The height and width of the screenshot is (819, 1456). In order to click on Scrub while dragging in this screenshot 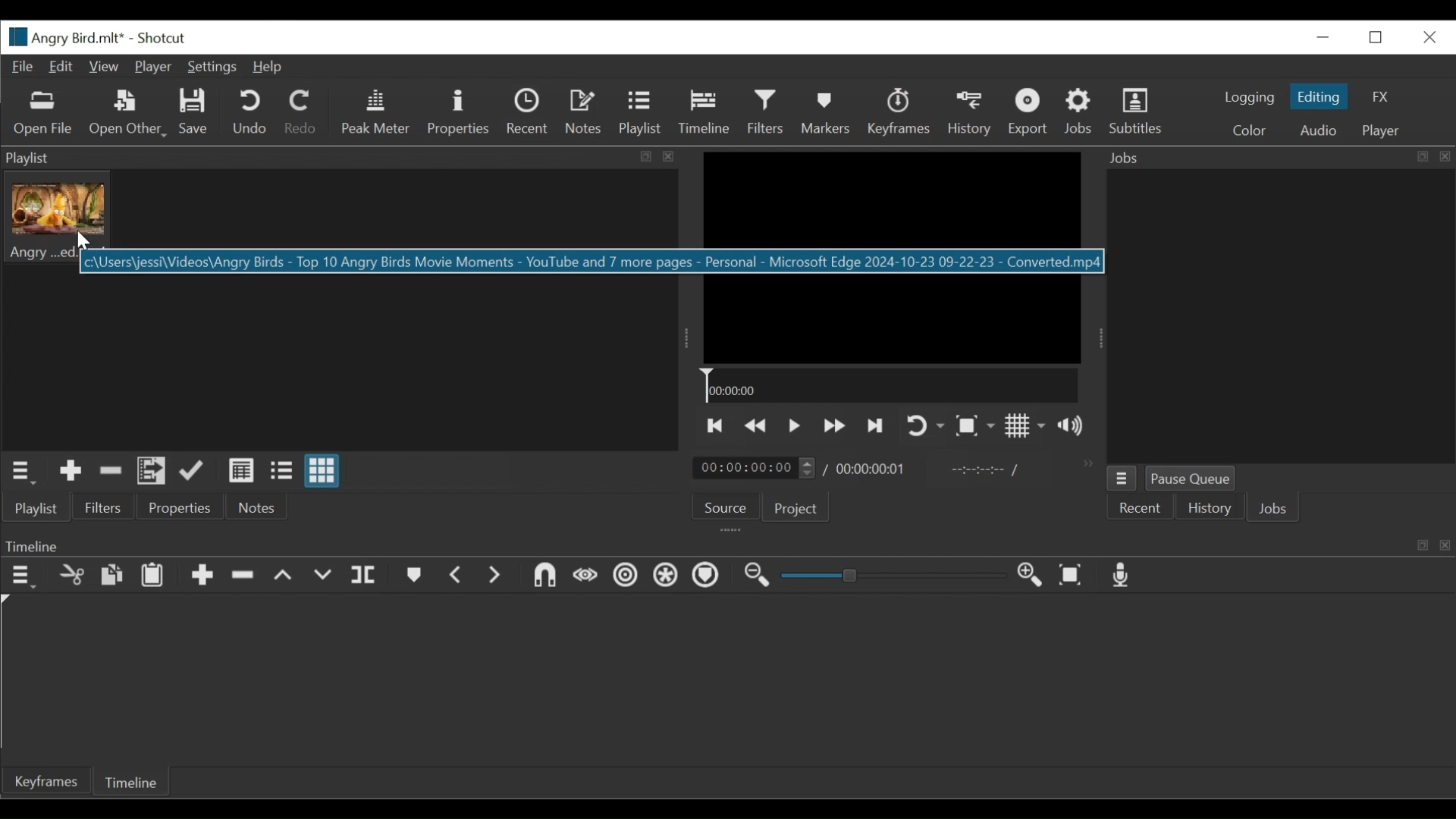, I will do `click(708, 576)`.